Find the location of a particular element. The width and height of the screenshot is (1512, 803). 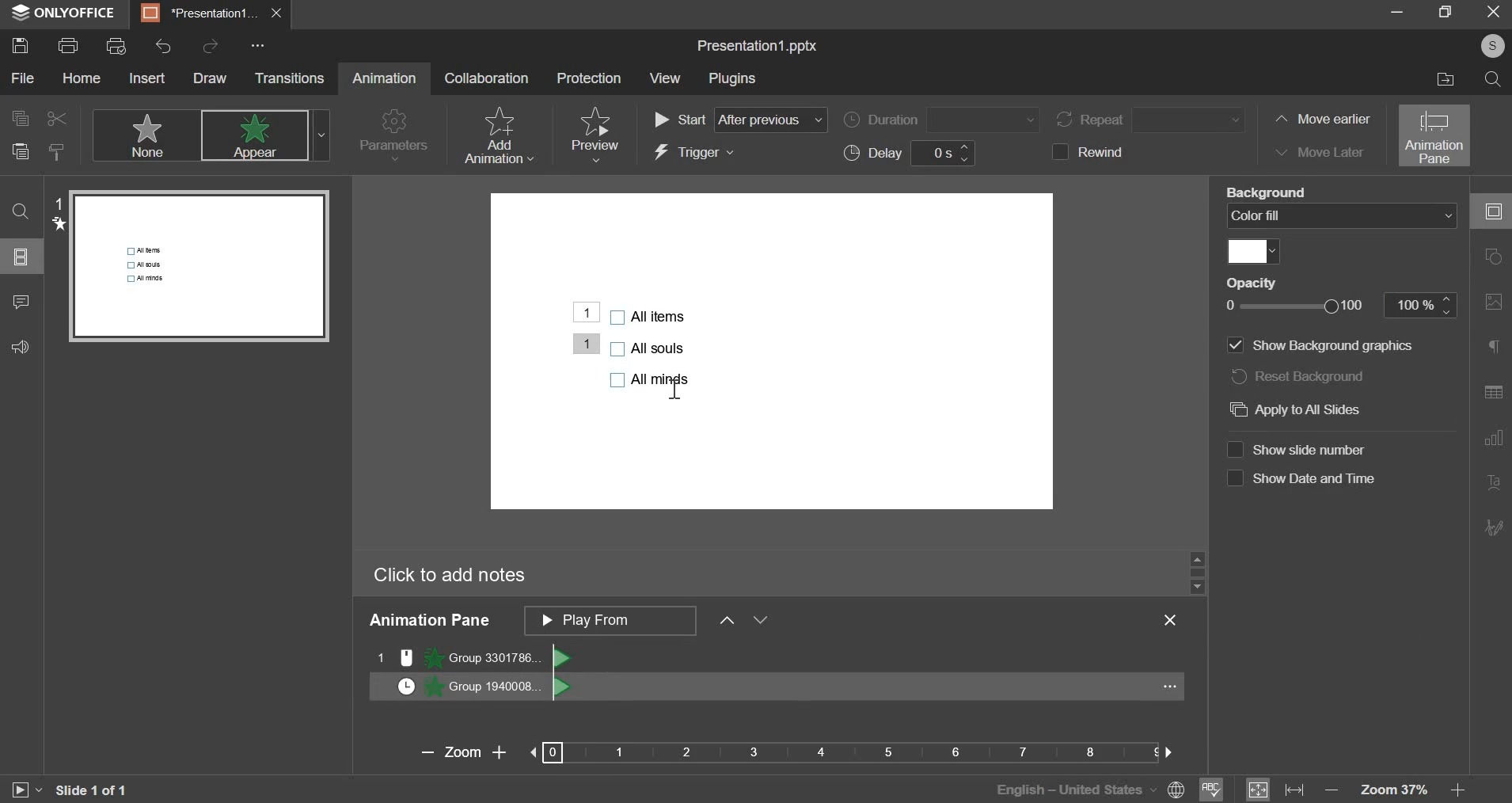

zoom is located at coordinates (785, 752).